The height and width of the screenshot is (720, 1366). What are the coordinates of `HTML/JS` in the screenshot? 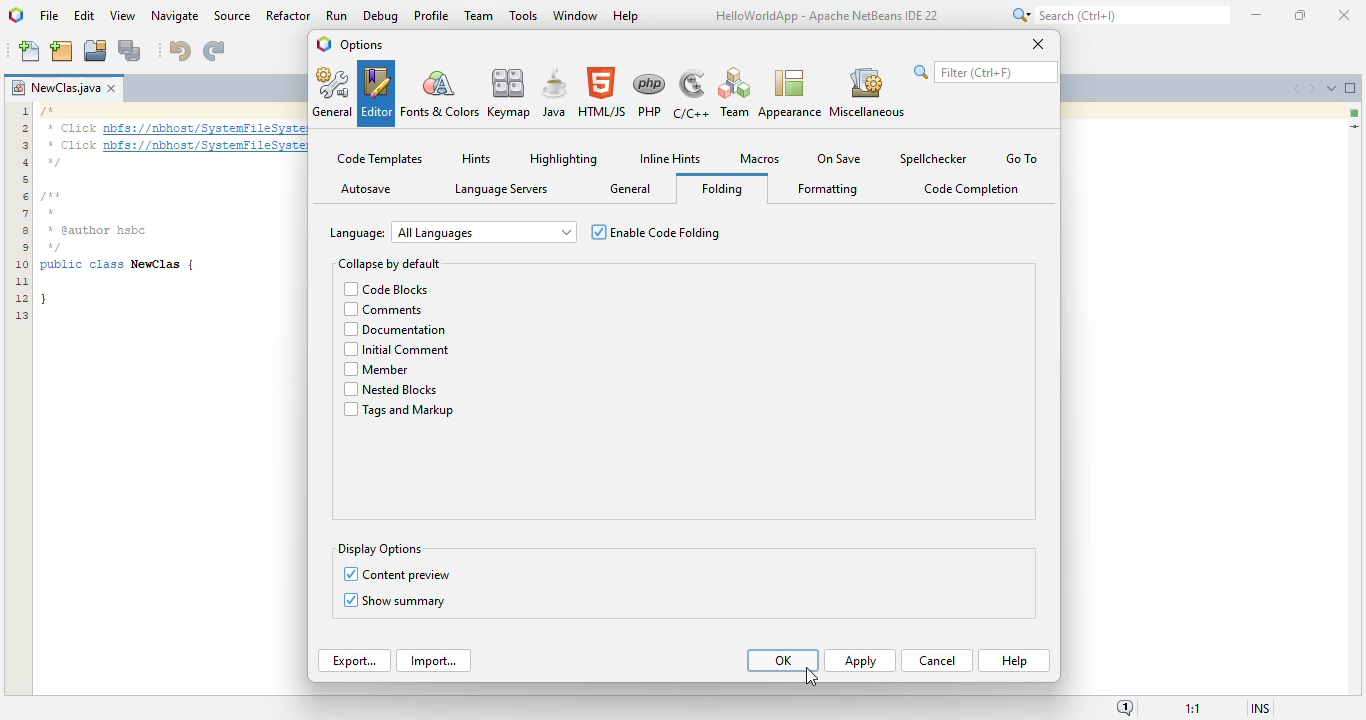 It's located at (603, 93).